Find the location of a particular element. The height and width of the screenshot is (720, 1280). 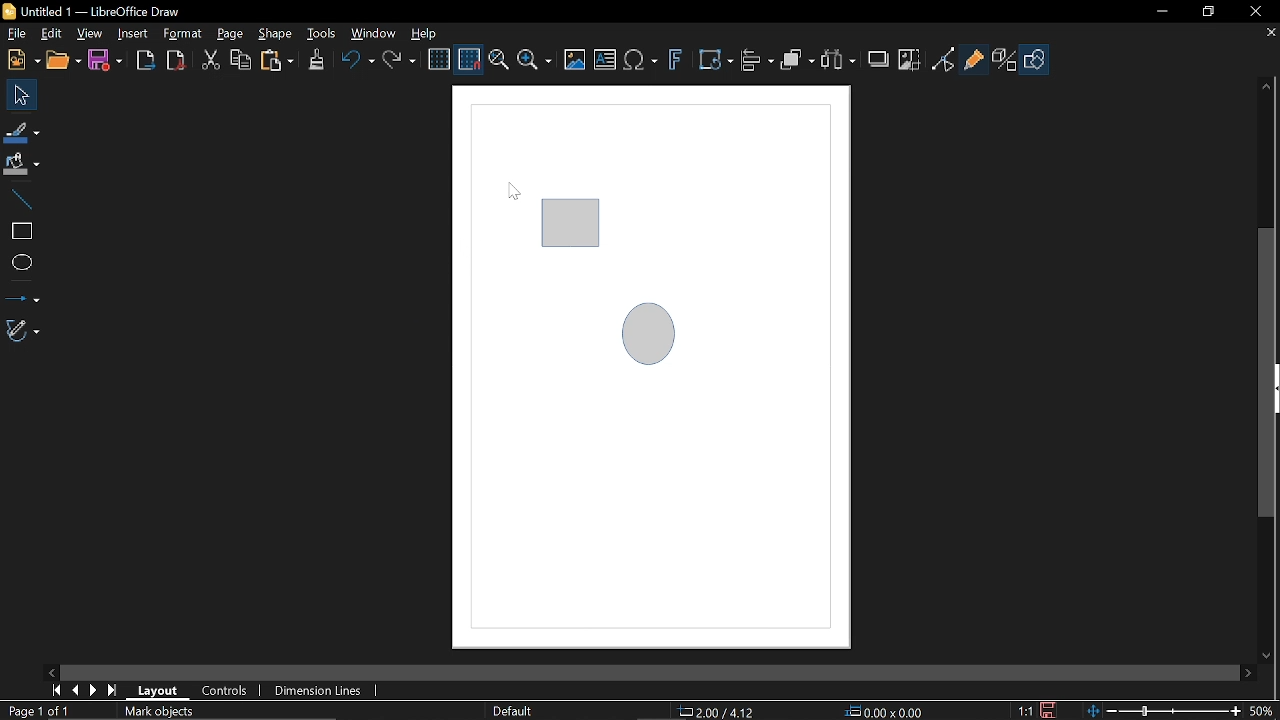

Change Zoom is located at coordinates (1166, 712).